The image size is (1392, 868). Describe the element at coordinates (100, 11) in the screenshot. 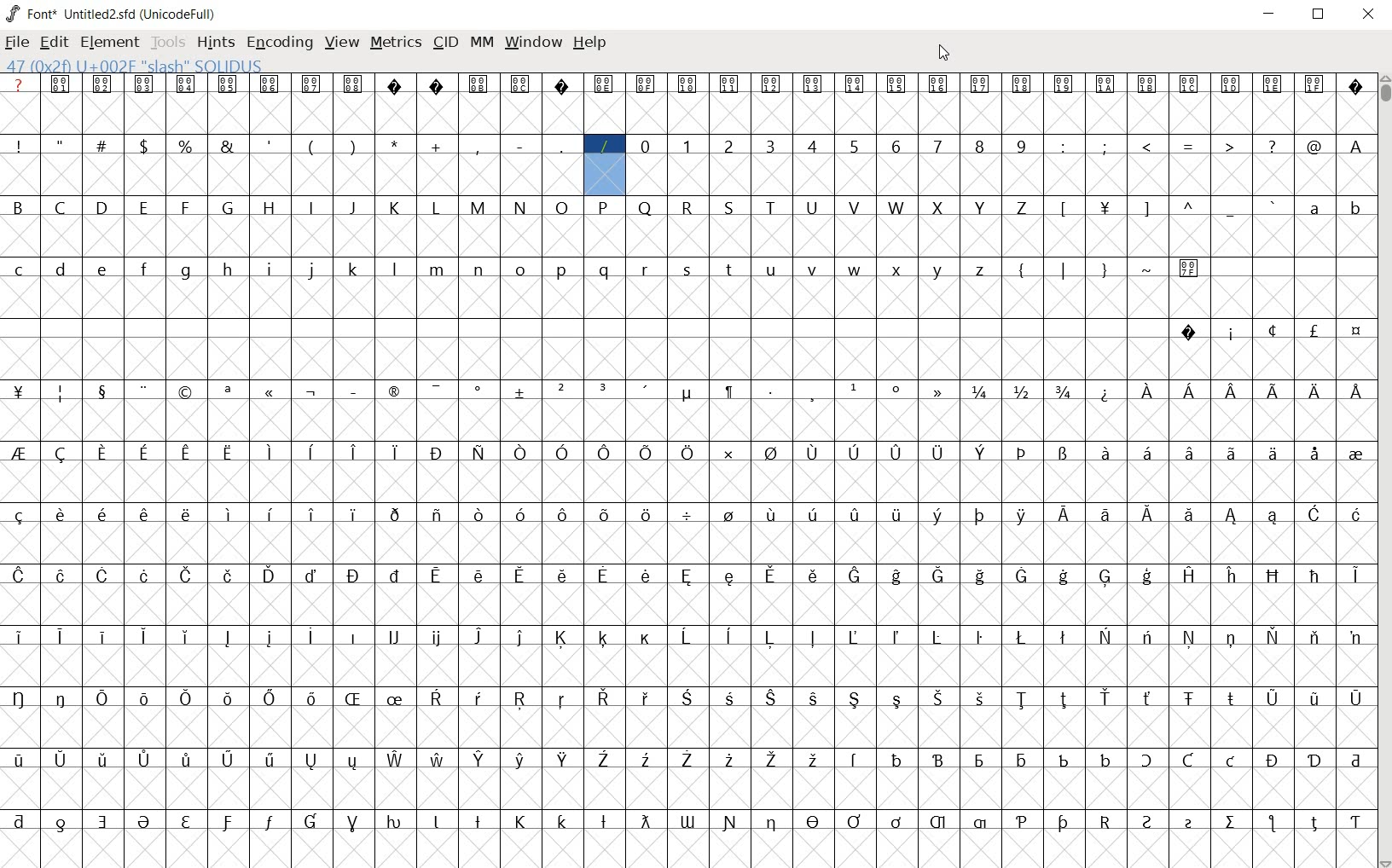

I see `font name` at that location.